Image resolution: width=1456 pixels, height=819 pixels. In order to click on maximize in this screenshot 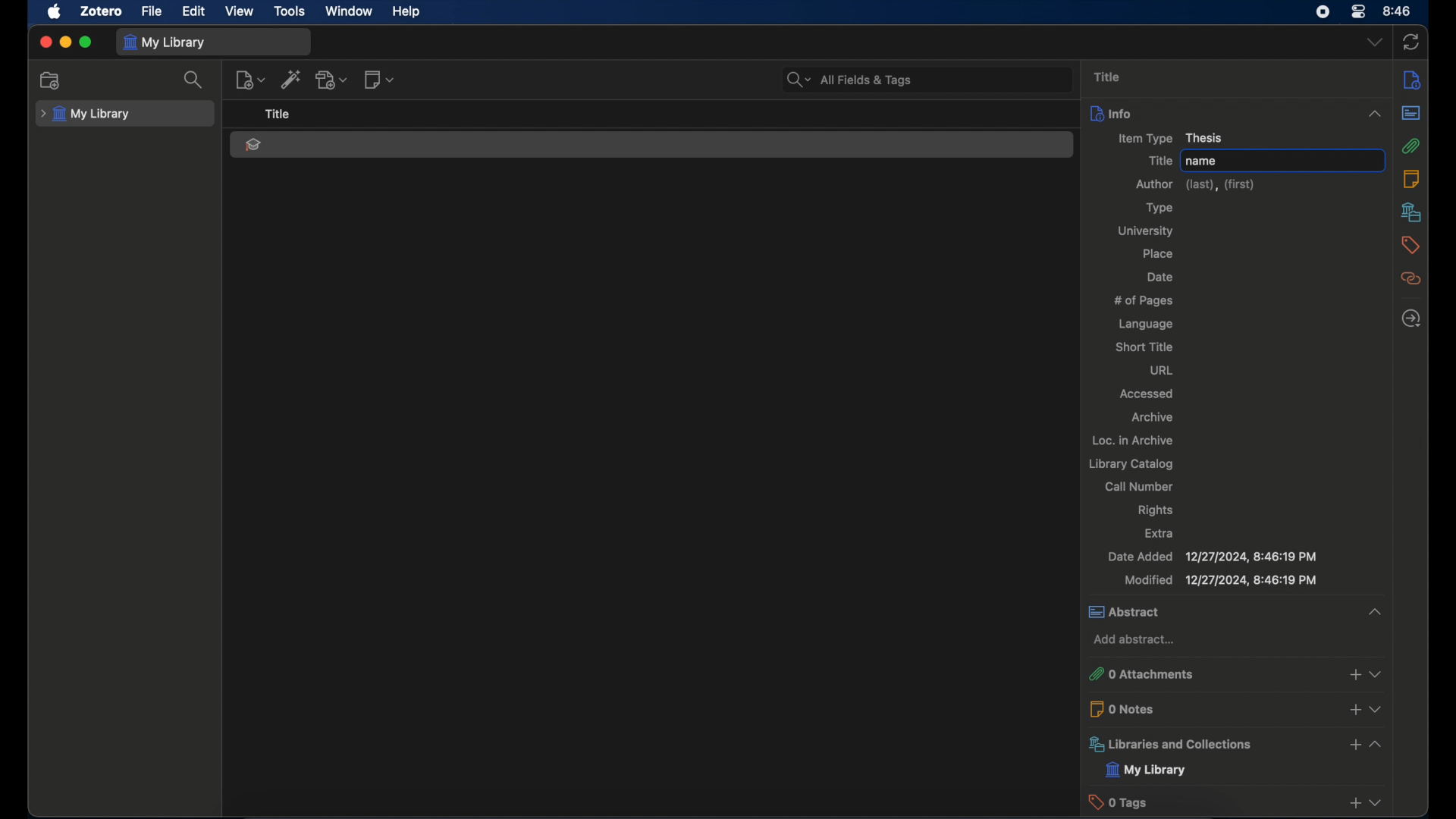, I will do `click(86, 43)`.